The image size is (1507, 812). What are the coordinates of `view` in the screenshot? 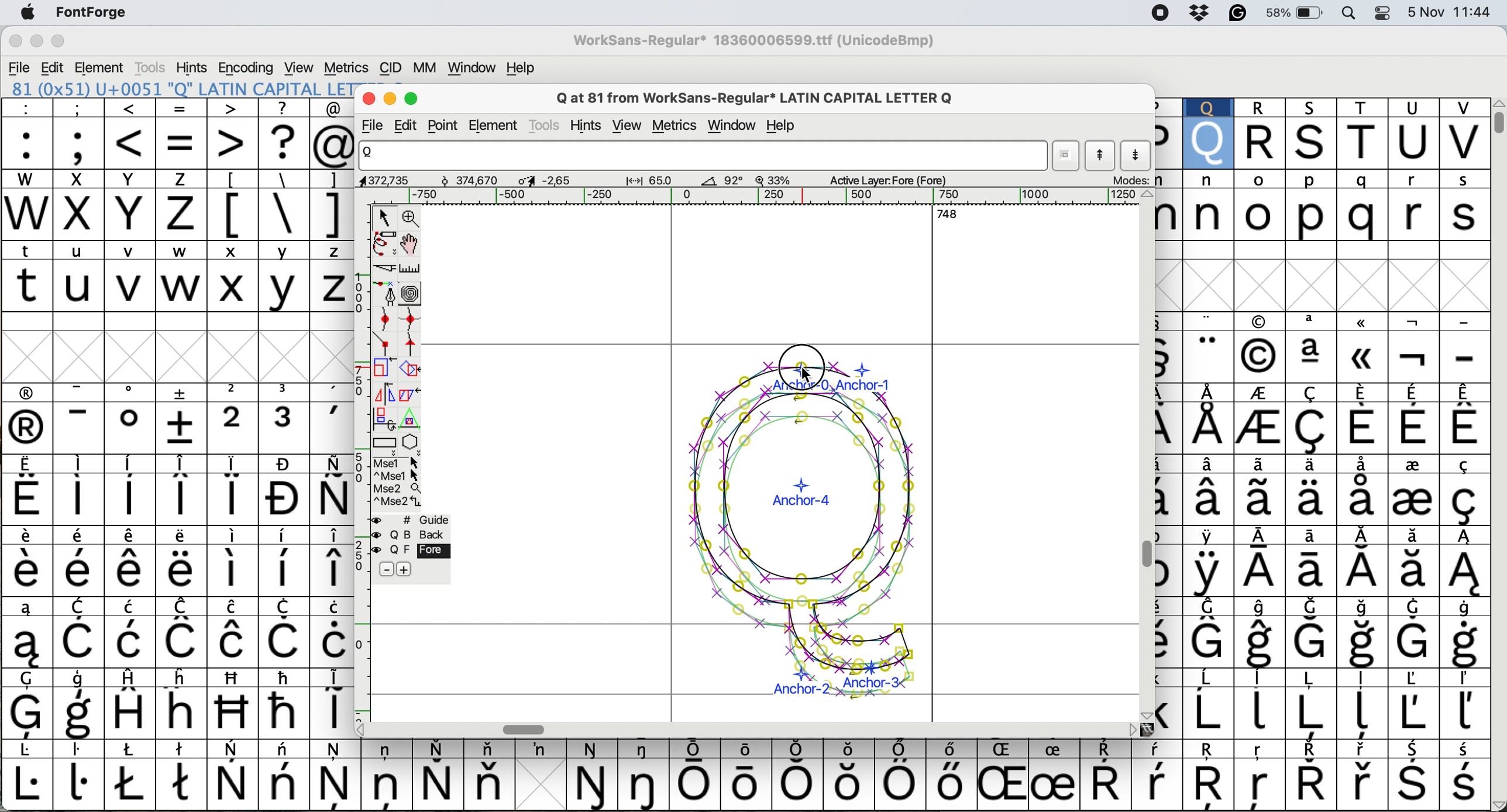 It's located at (628, 124).